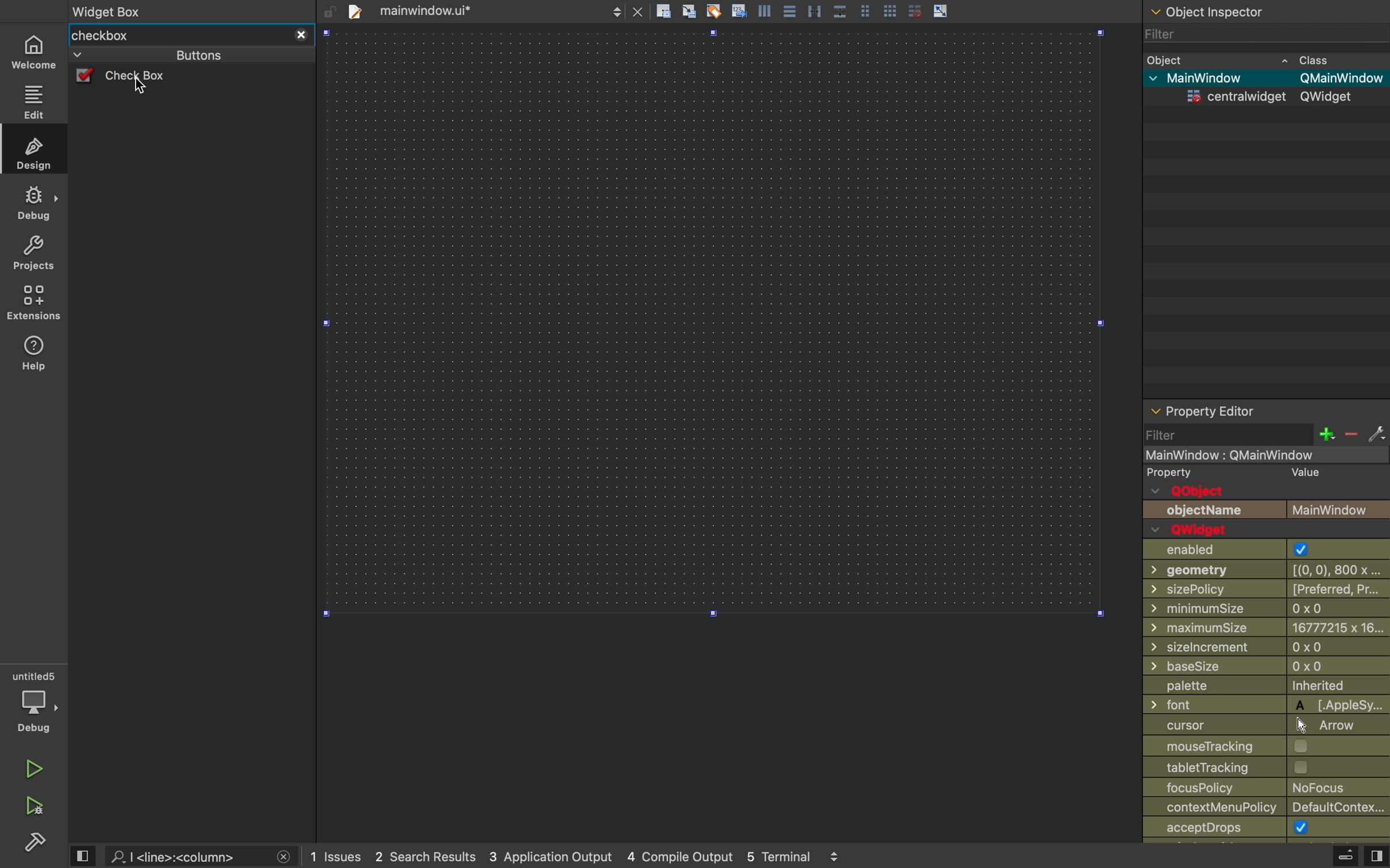  Describe the element at coordinates (34, 100) in the screenshot. I see `edit` at that location.